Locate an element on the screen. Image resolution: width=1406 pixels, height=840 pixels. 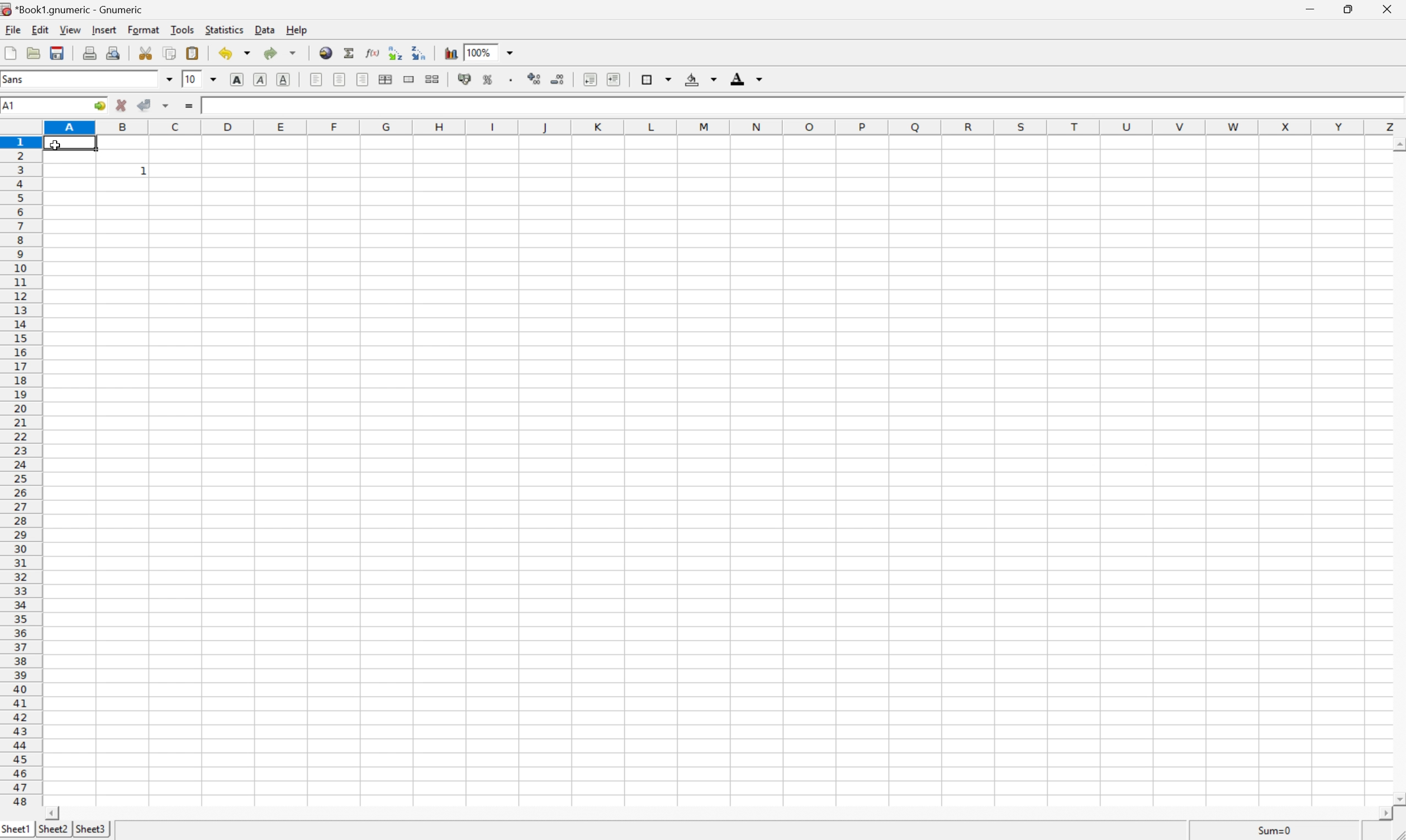
insert is located at coordinates (104, 30).